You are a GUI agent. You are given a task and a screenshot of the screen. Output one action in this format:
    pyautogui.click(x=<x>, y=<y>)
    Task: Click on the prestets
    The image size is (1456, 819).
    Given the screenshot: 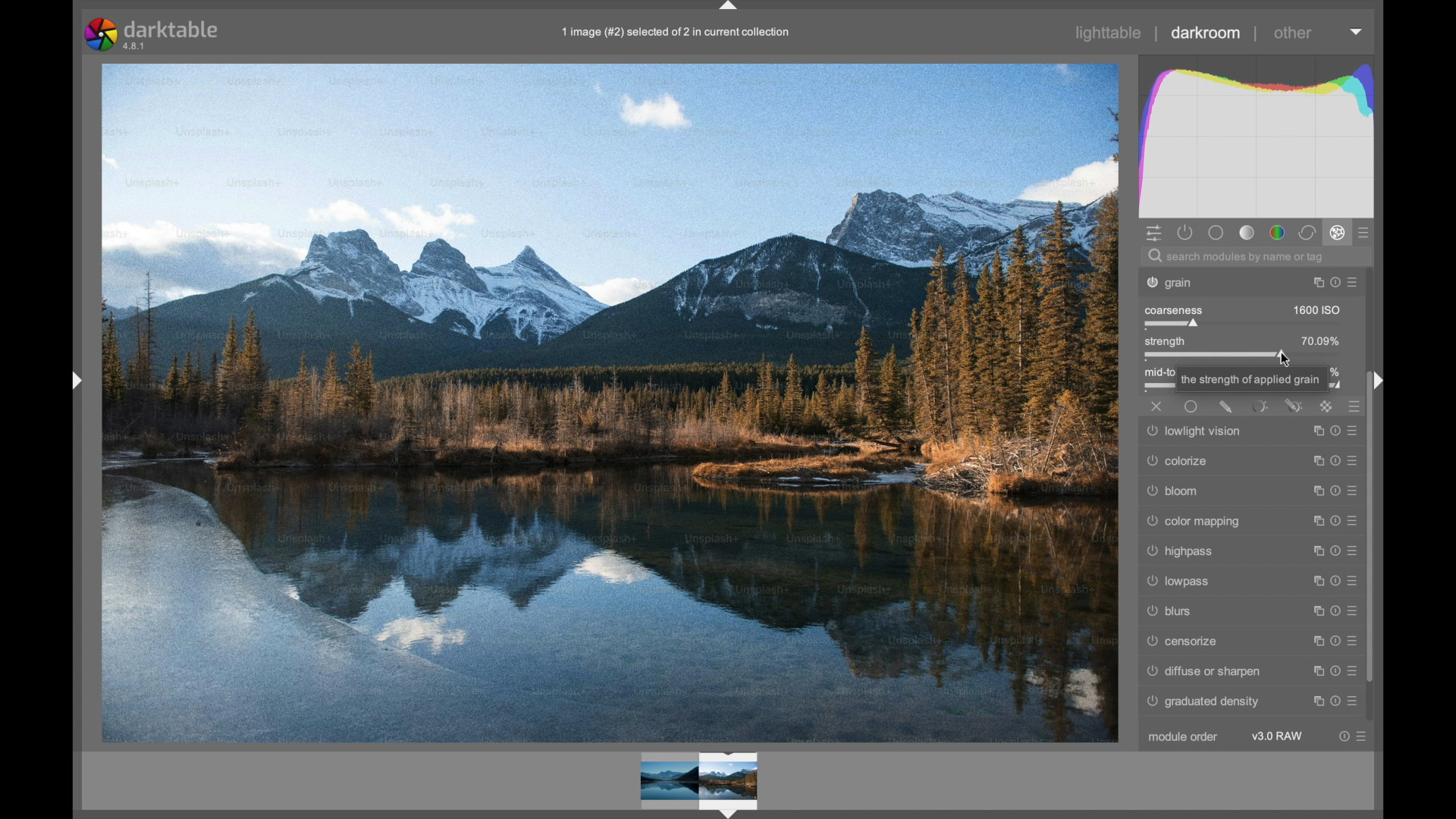 What is the action you would take?
    pyautogui.click(x=1351, y=521)
    